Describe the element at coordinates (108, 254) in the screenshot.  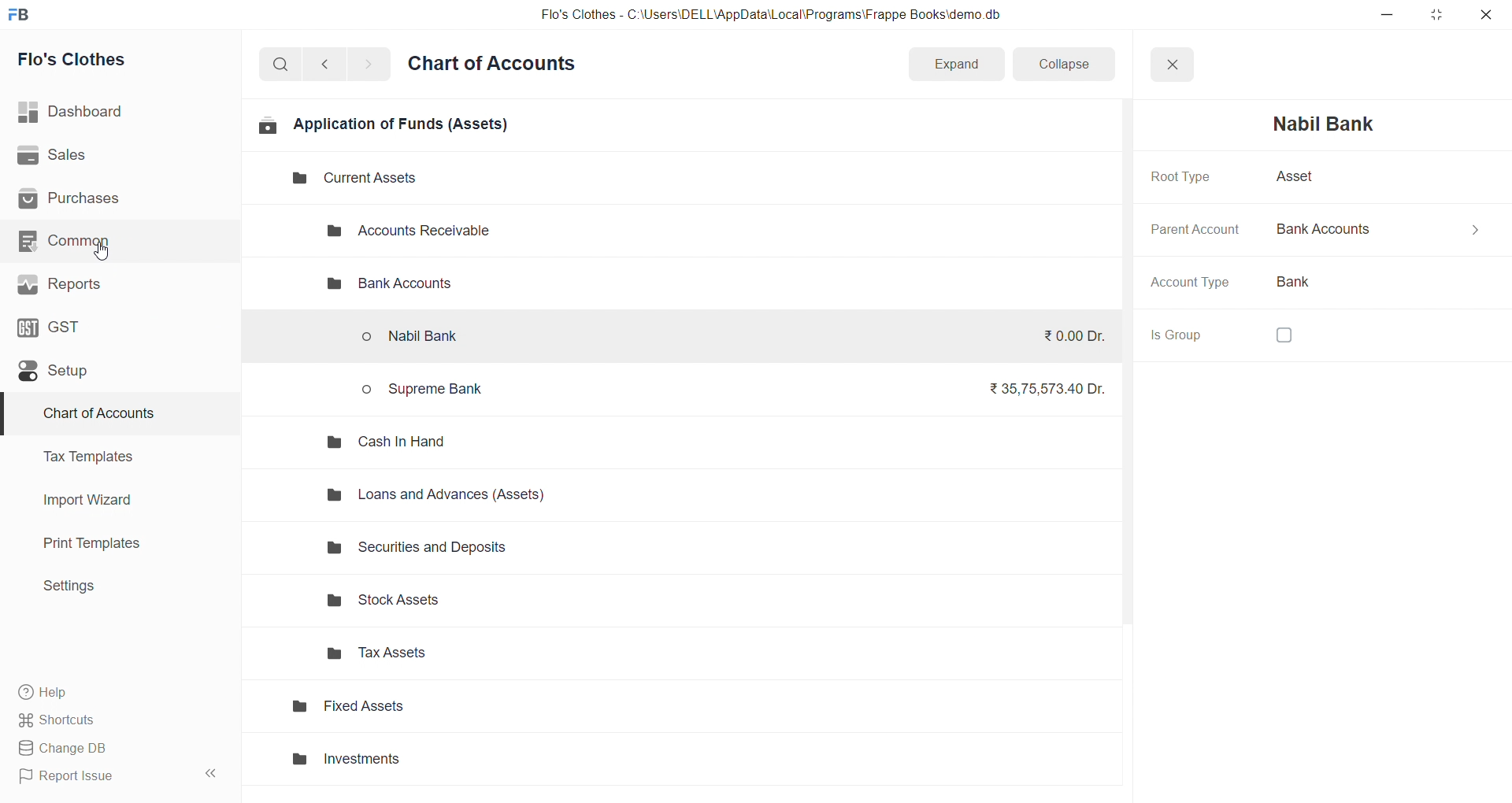
I see `cursor` at that location.